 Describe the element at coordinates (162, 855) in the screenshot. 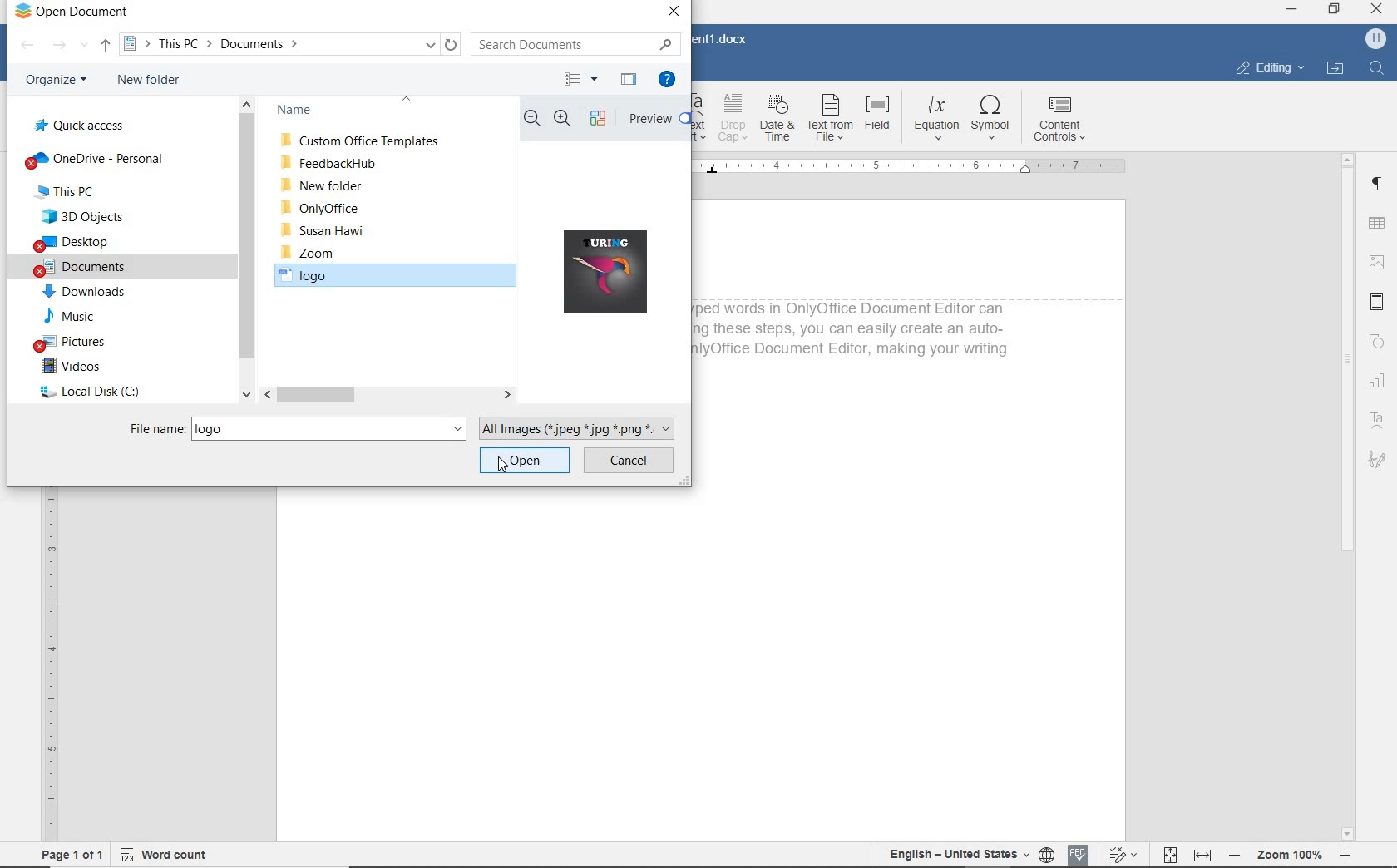

I see `Word count` at that location.